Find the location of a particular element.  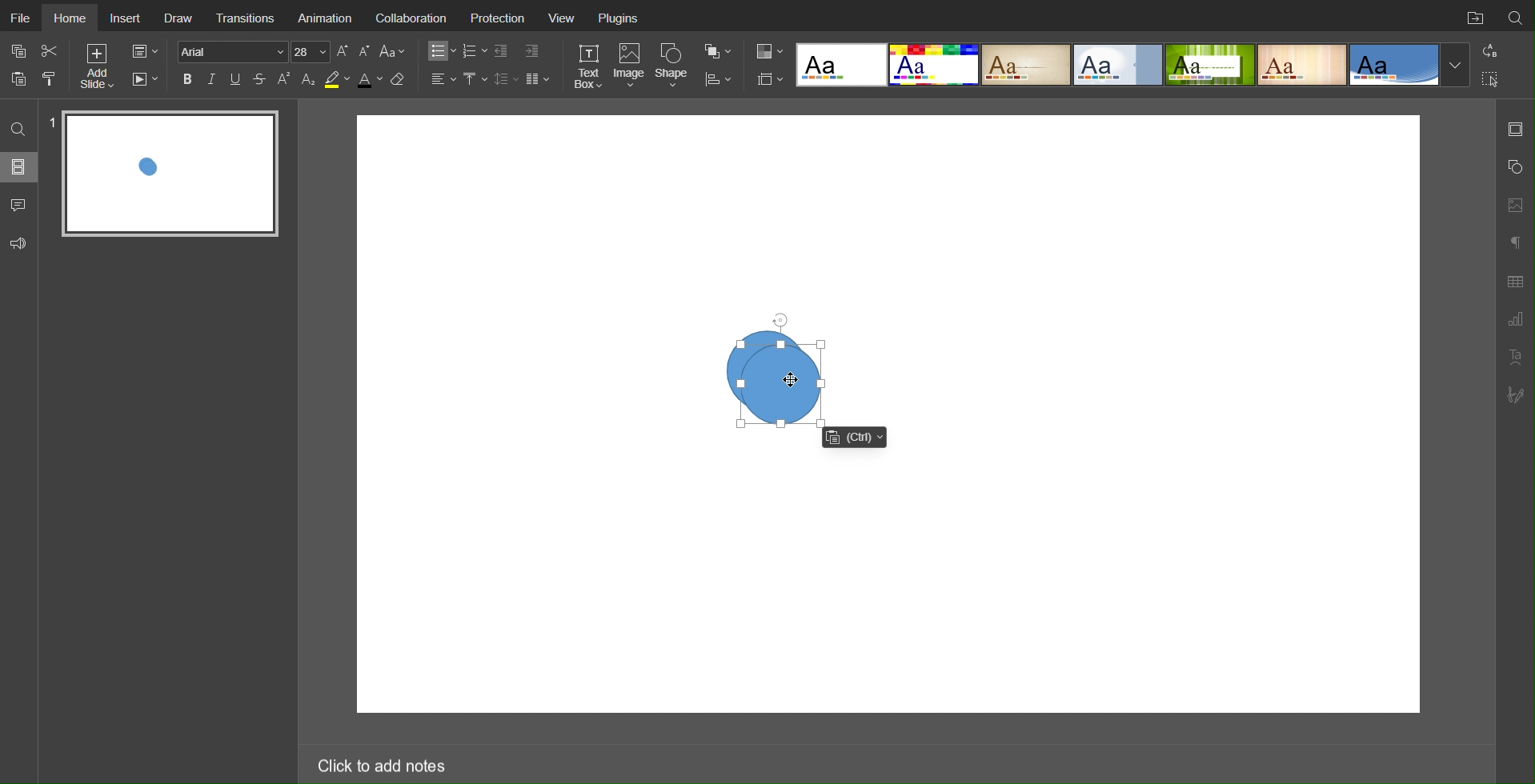

Shape  is located at coordinates (675, 65).